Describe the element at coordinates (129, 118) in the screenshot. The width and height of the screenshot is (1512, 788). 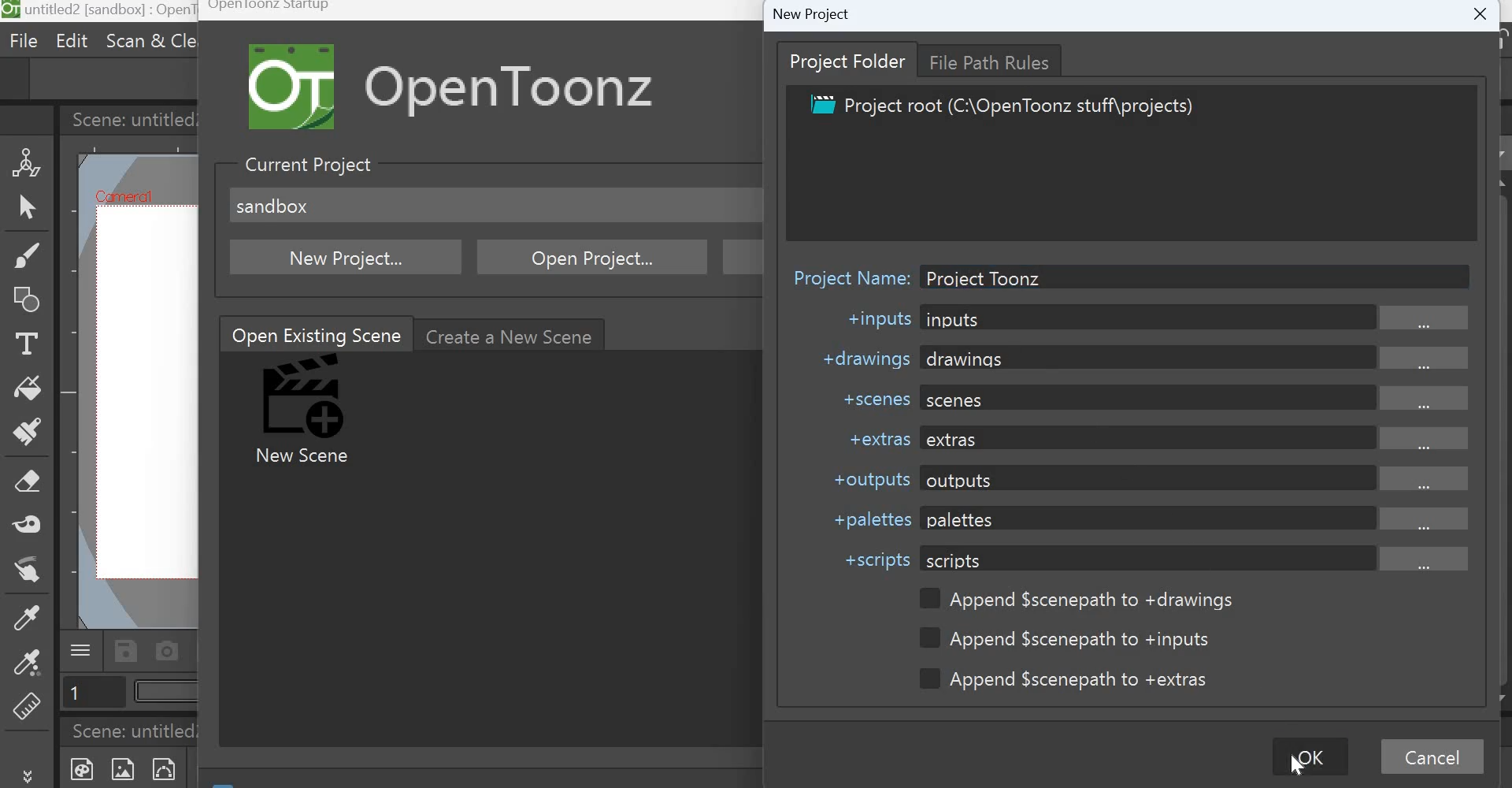
I see `Scene: untitled2` at that location.